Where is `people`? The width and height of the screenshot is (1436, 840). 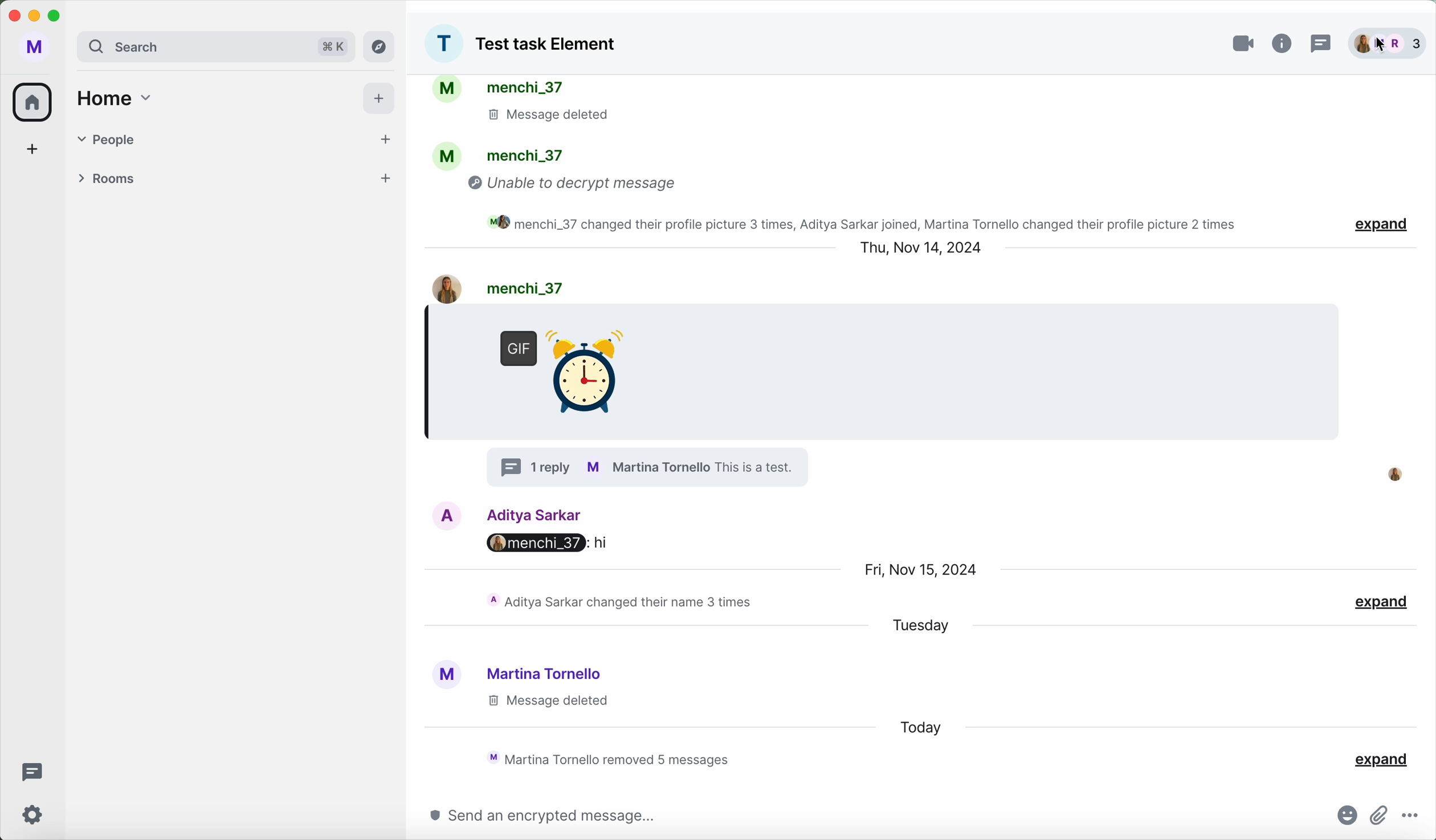
people is located at coordinates (521, 156).